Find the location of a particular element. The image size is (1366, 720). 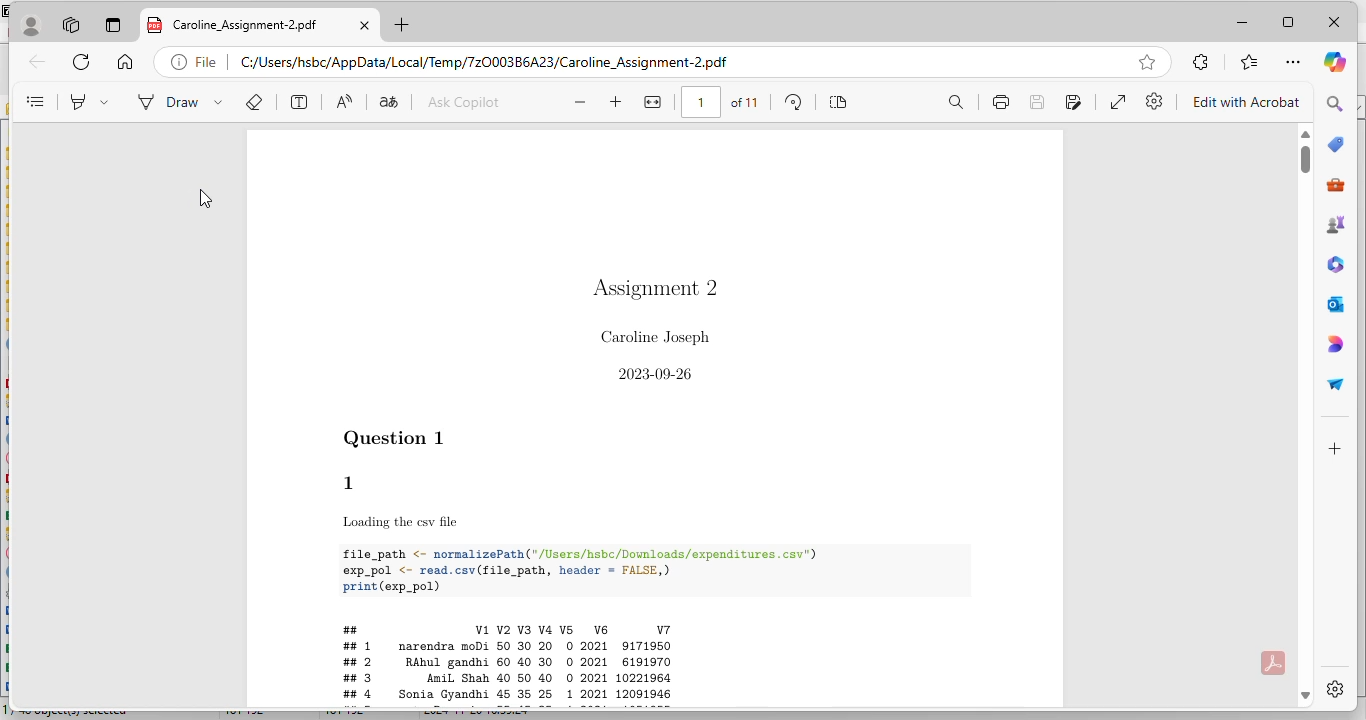

home is located at coordinates (126, 61).